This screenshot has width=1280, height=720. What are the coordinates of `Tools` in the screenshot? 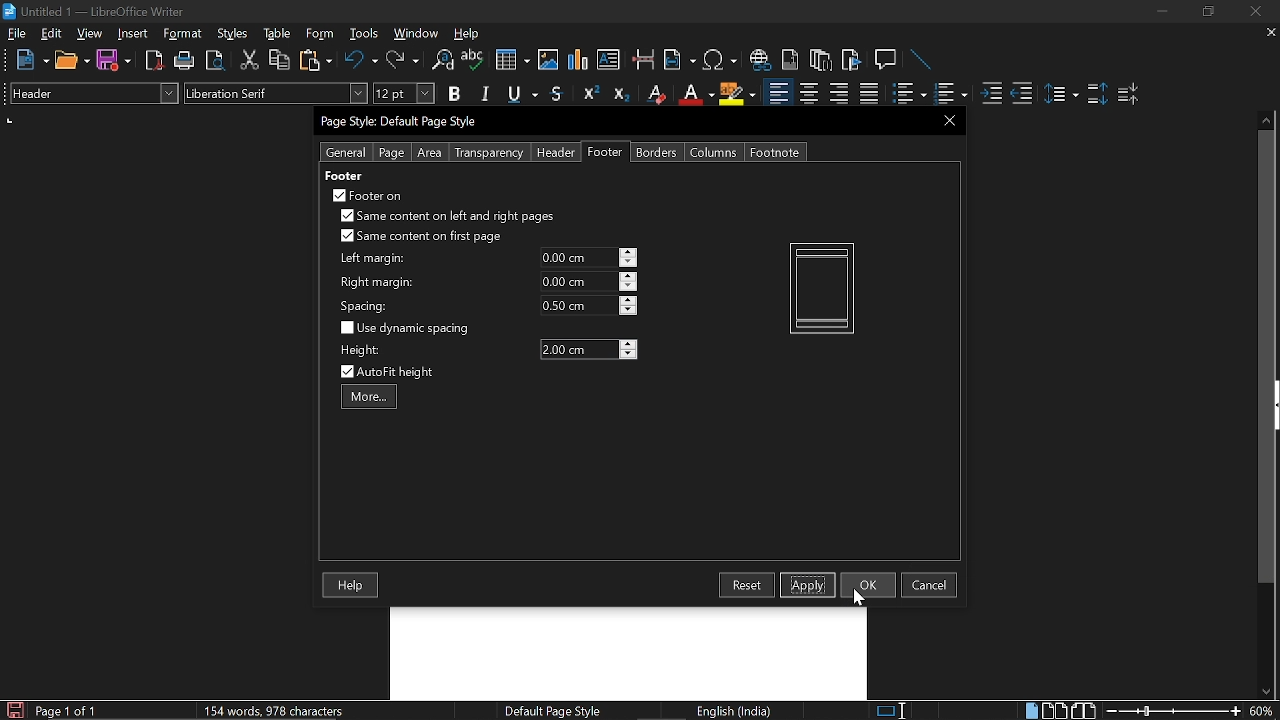 It's located at (364, 34).